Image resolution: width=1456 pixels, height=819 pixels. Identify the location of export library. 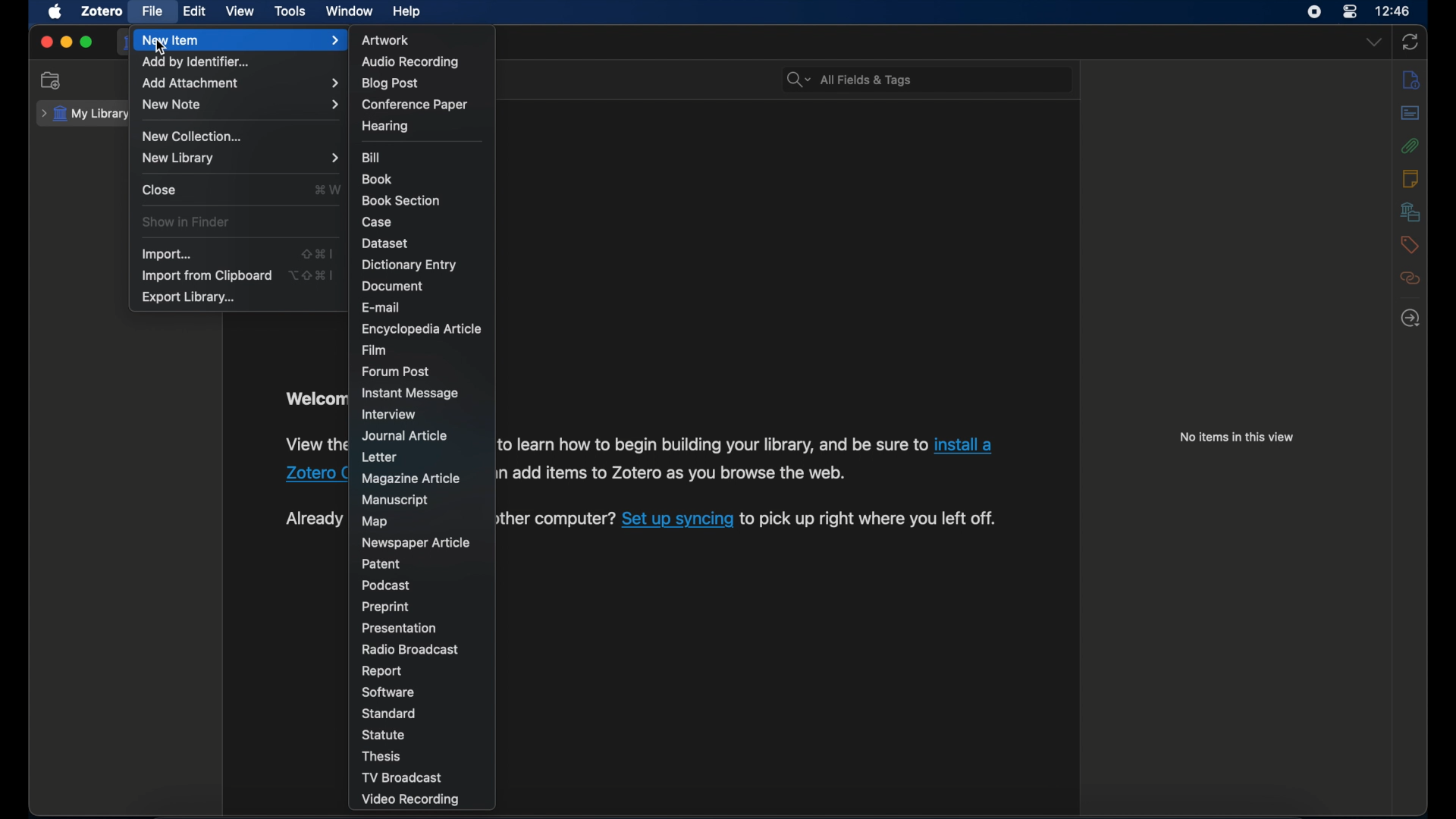
(187, 297).